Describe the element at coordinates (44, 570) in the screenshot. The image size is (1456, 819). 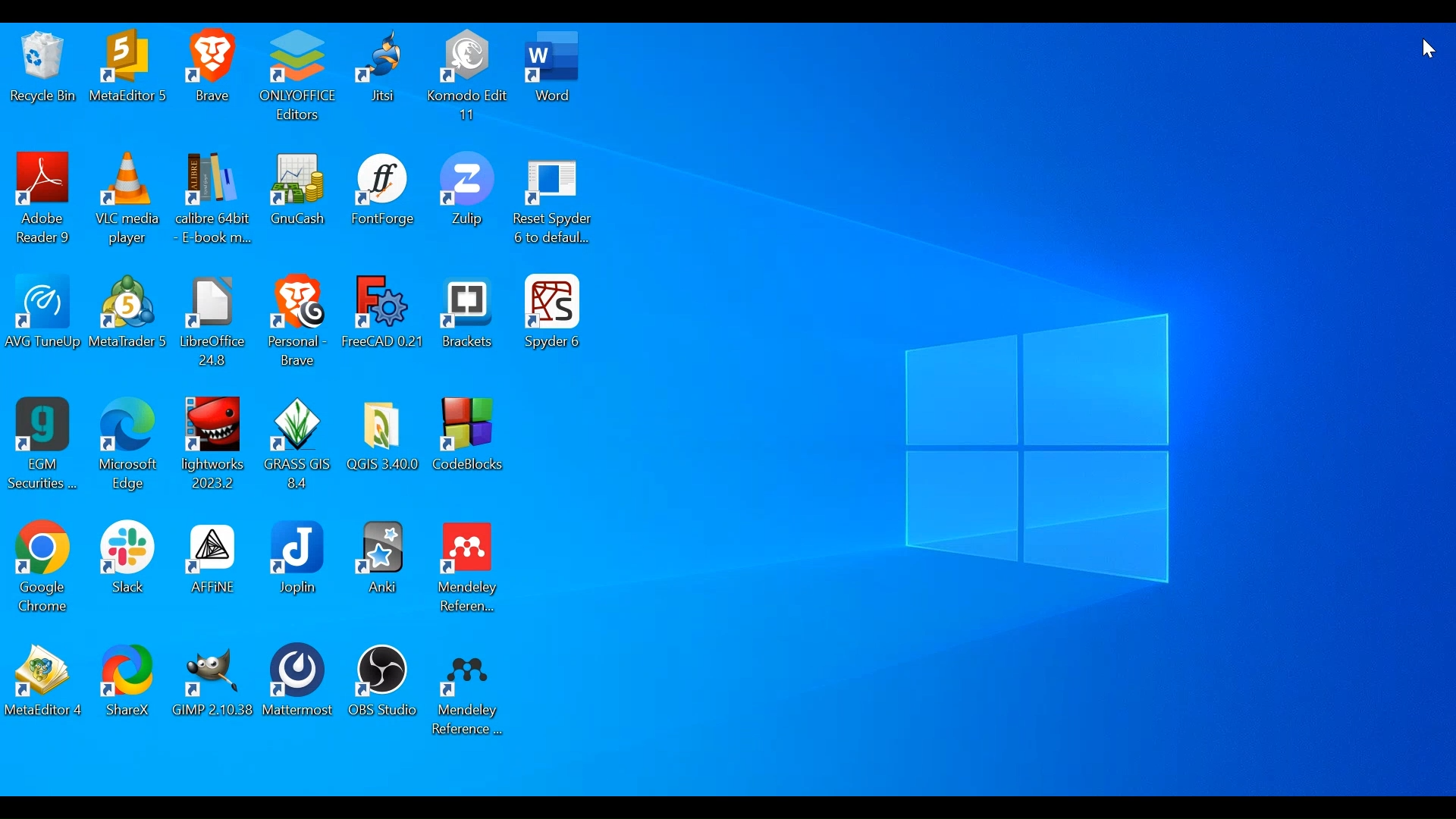
I see `Google Chrome ` at that location.